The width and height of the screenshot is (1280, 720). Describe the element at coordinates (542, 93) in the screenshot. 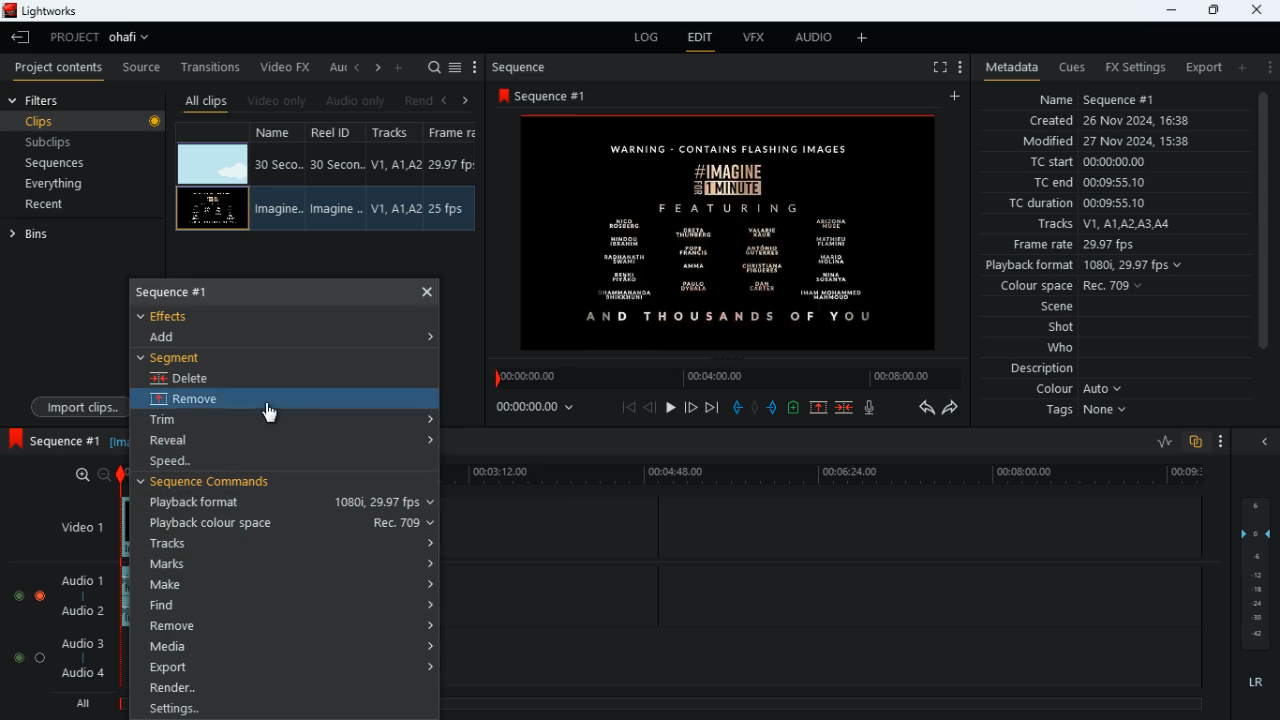

I see `sequence` at that location.